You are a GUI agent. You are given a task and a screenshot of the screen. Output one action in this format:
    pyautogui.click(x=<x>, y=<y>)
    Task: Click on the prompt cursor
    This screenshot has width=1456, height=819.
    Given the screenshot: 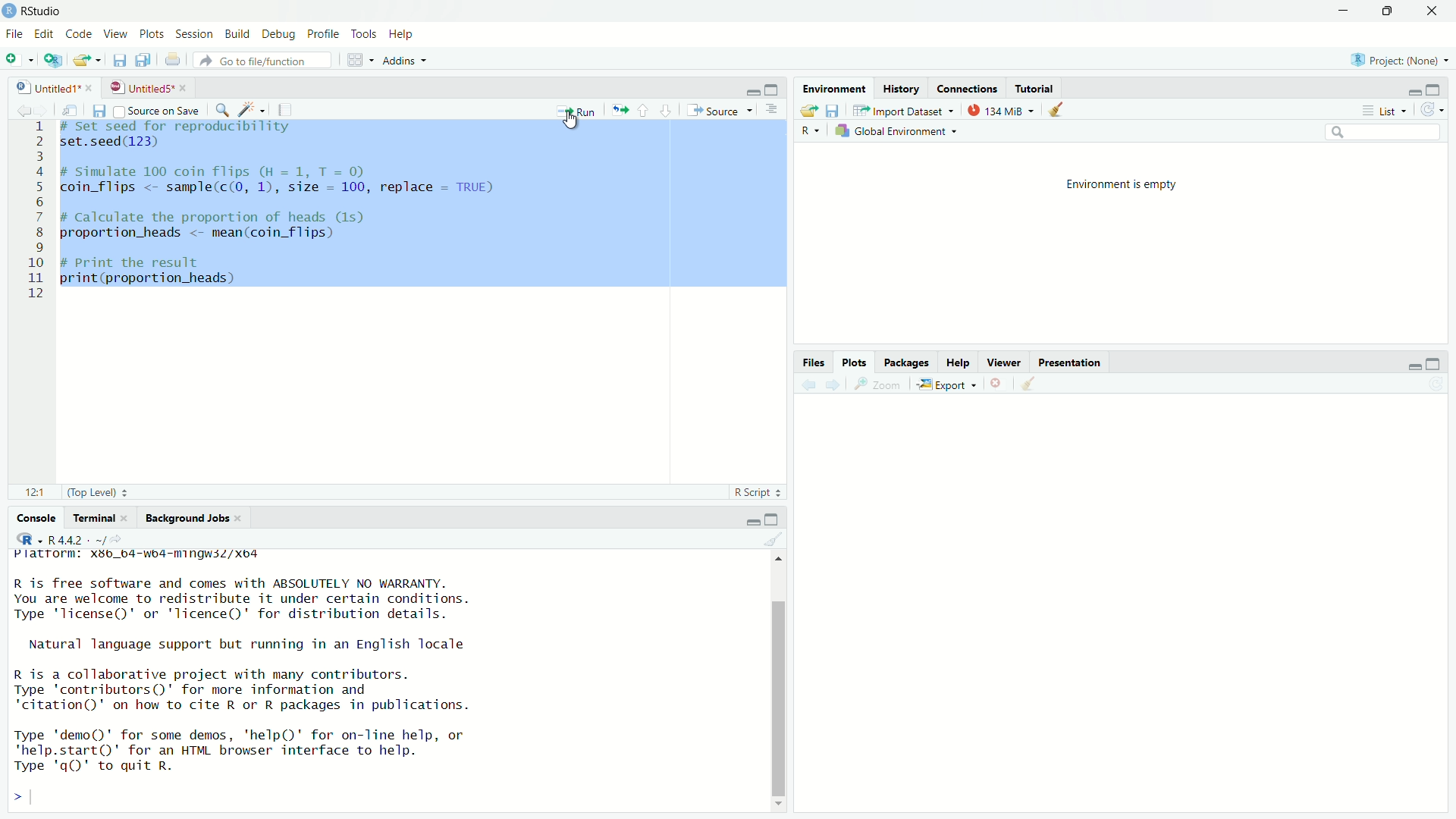 What is the action you would take?
    pyautogui.click(x=11, y=795)
    